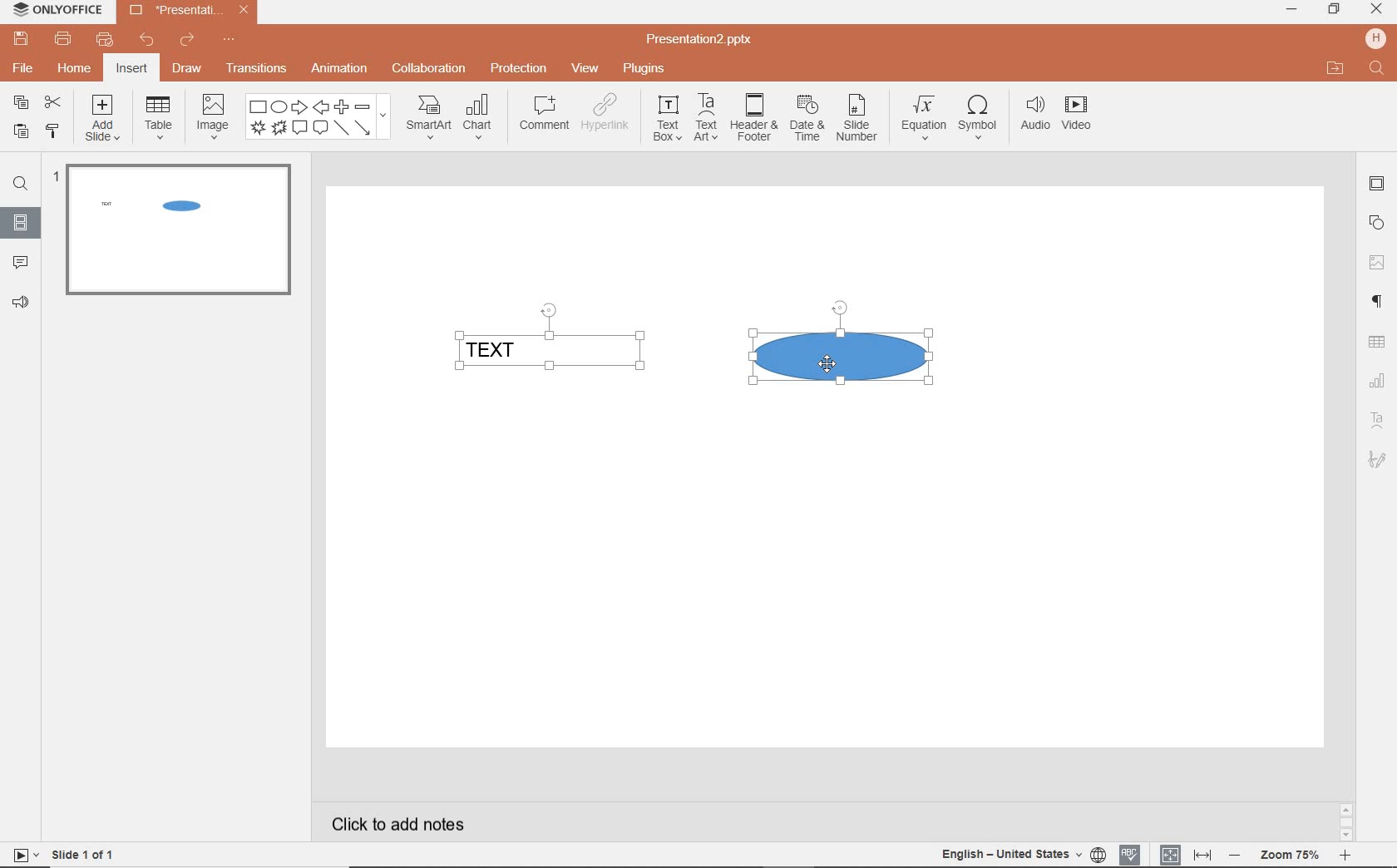 This screenshot has height=868, width=1397. What do you see at coordinates (22, 221) in the screenshot?
I see `SLIDES` at bounding box center [22, 221].